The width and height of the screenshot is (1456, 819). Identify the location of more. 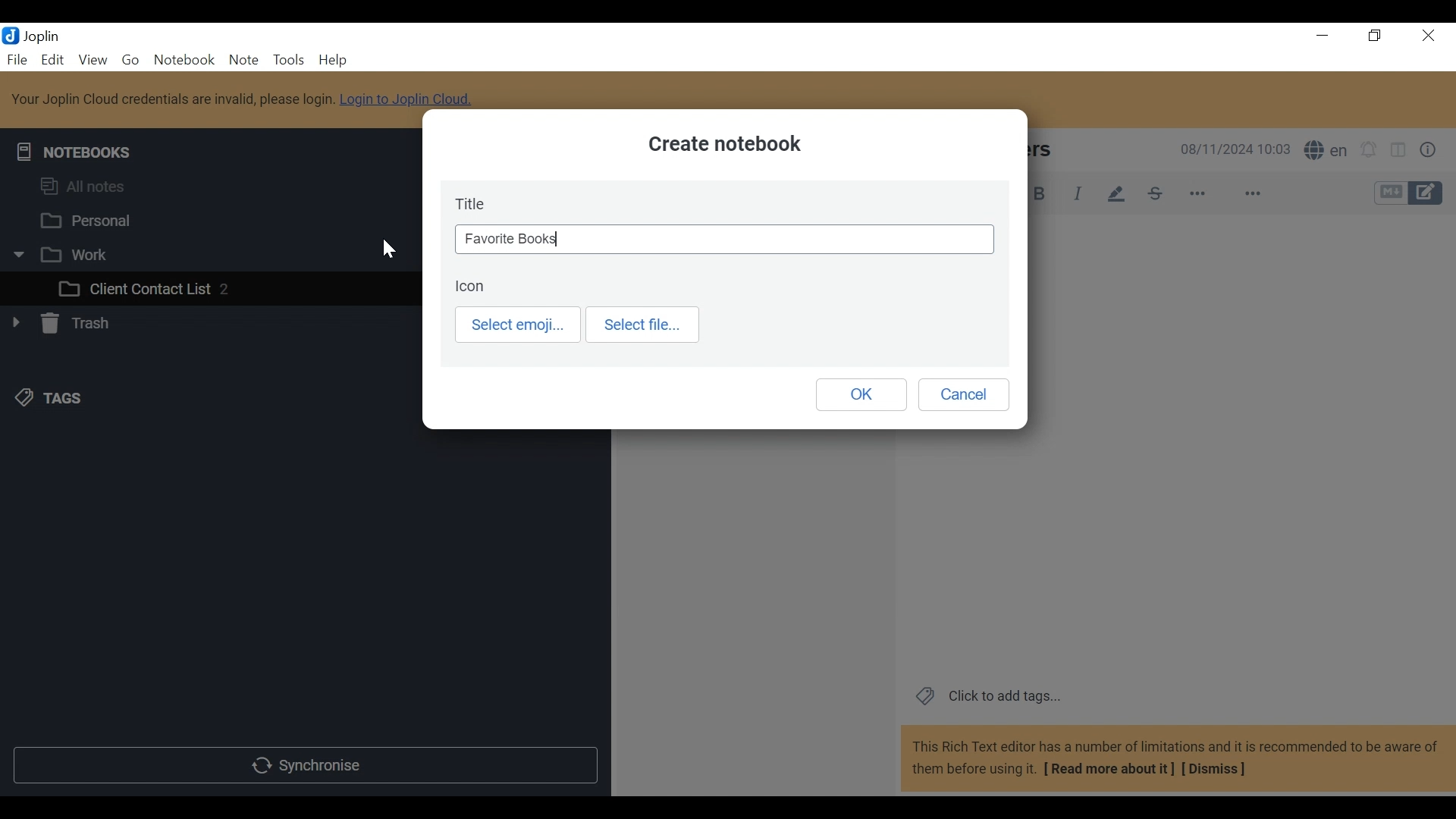
(1225, 191).